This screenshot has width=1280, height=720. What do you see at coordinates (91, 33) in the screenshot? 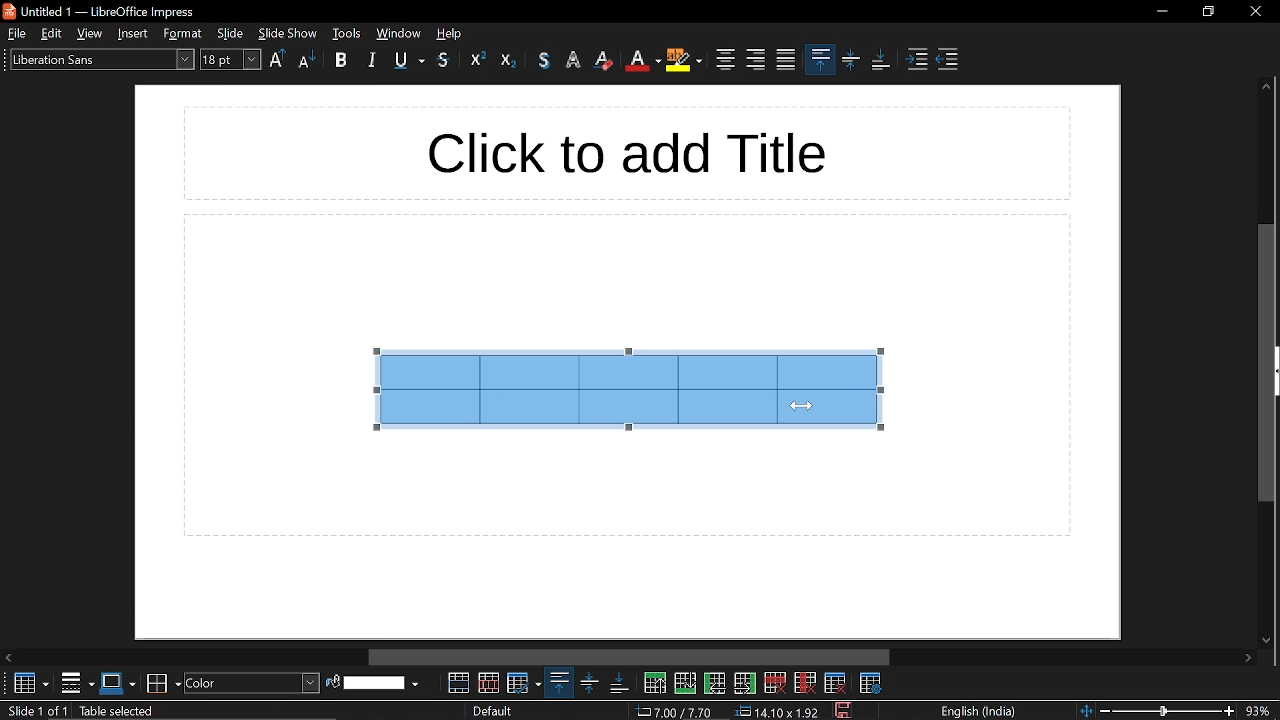
I see `view` at bounding box center [91, 33].